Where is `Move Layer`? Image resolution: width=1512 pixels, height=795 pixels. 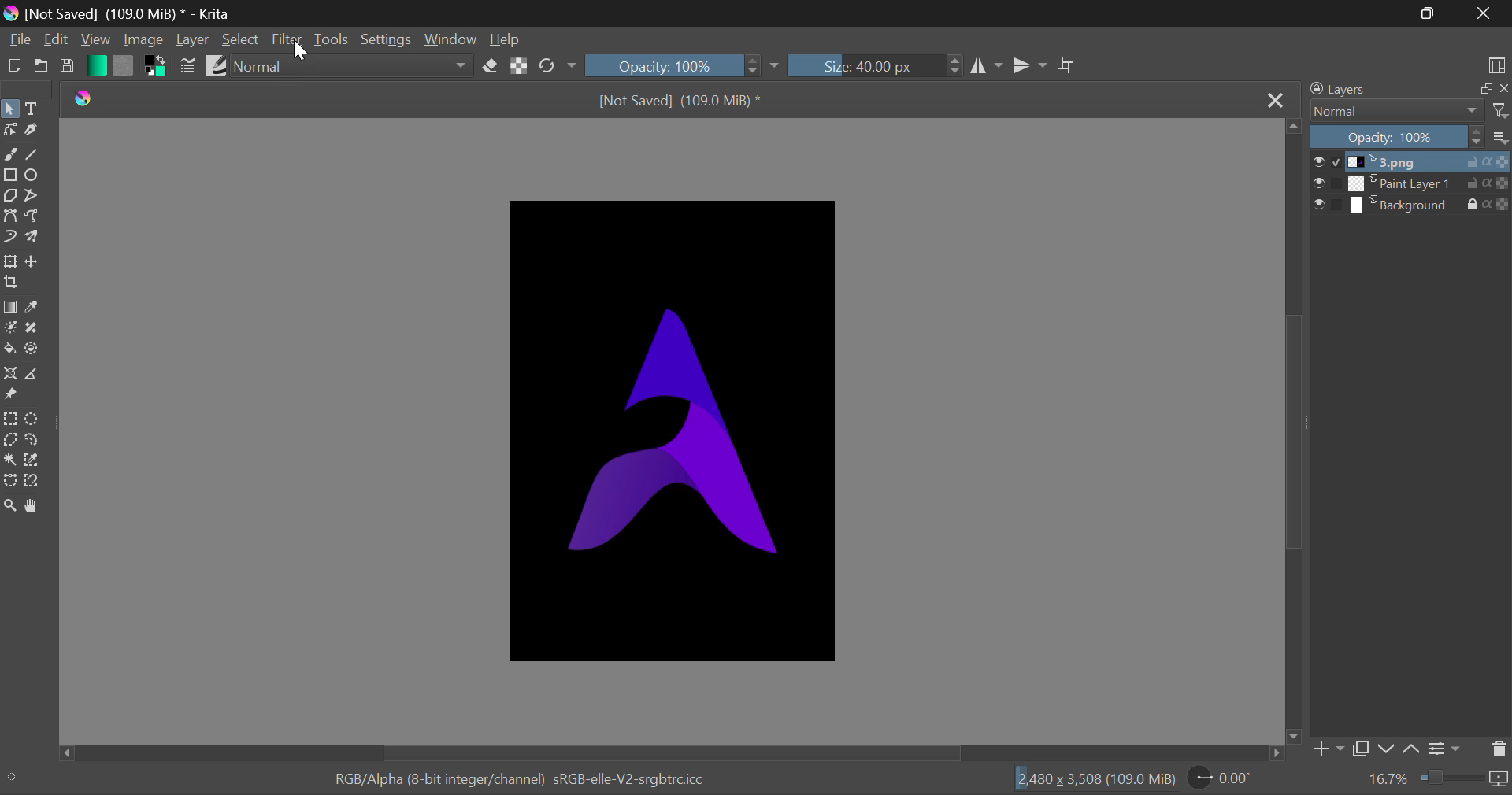
Move Layer is located at coordinates (35, 261).